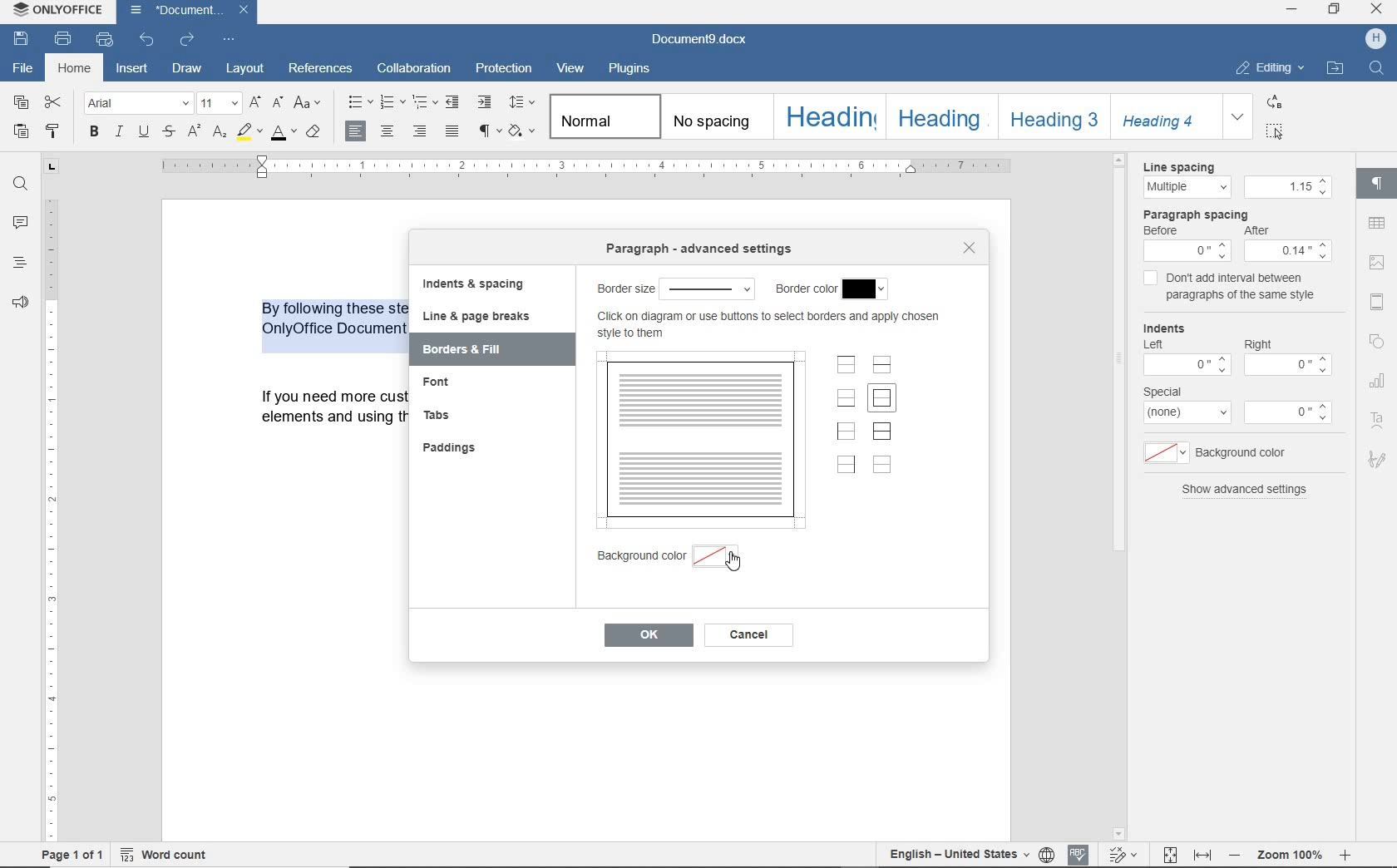  I want to click on cursor, so click(749, 566).